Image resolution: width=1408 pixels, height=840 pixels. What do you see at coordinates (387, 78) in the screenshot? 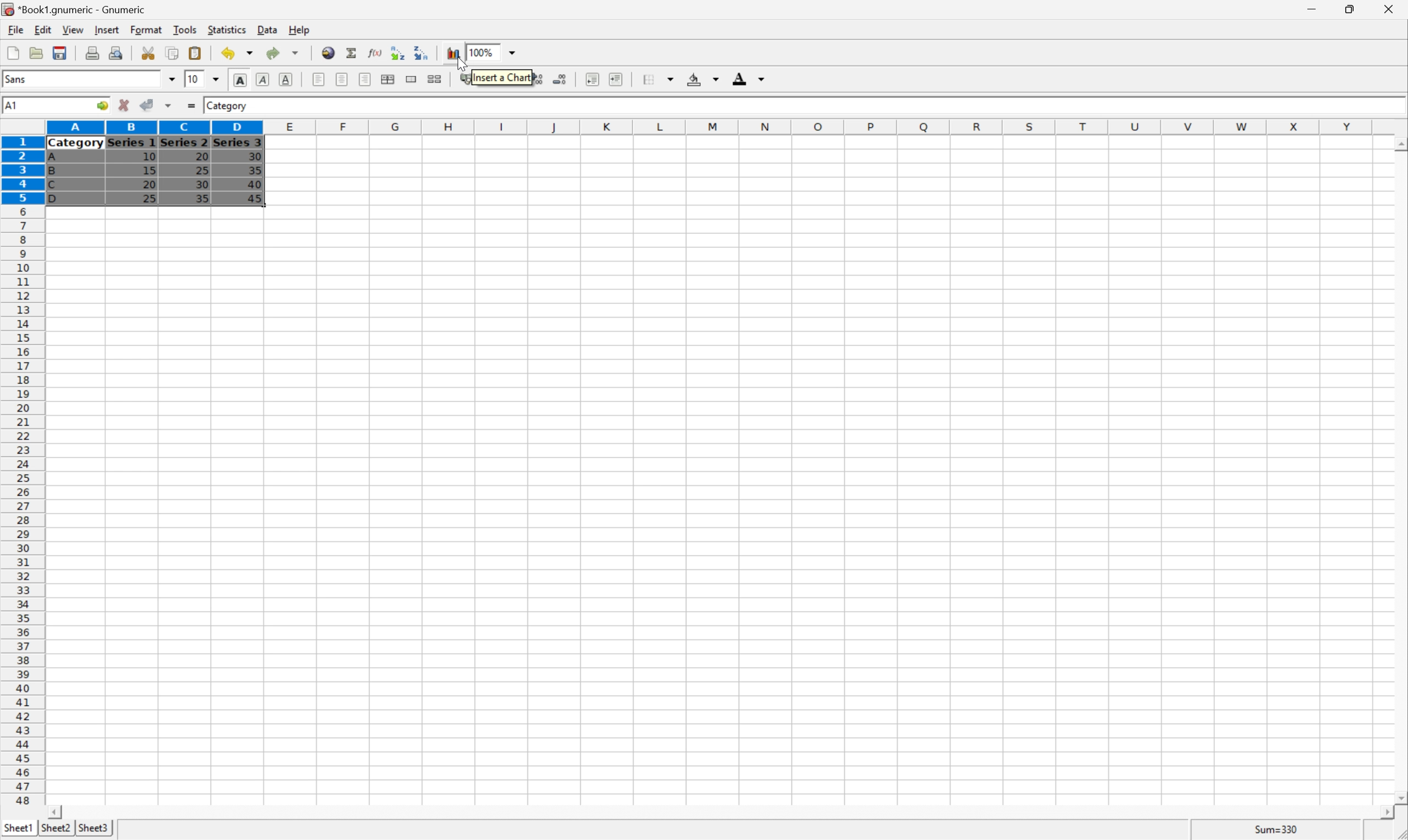
I see `Center horizontally across selection` at bounding box center [387, 78].